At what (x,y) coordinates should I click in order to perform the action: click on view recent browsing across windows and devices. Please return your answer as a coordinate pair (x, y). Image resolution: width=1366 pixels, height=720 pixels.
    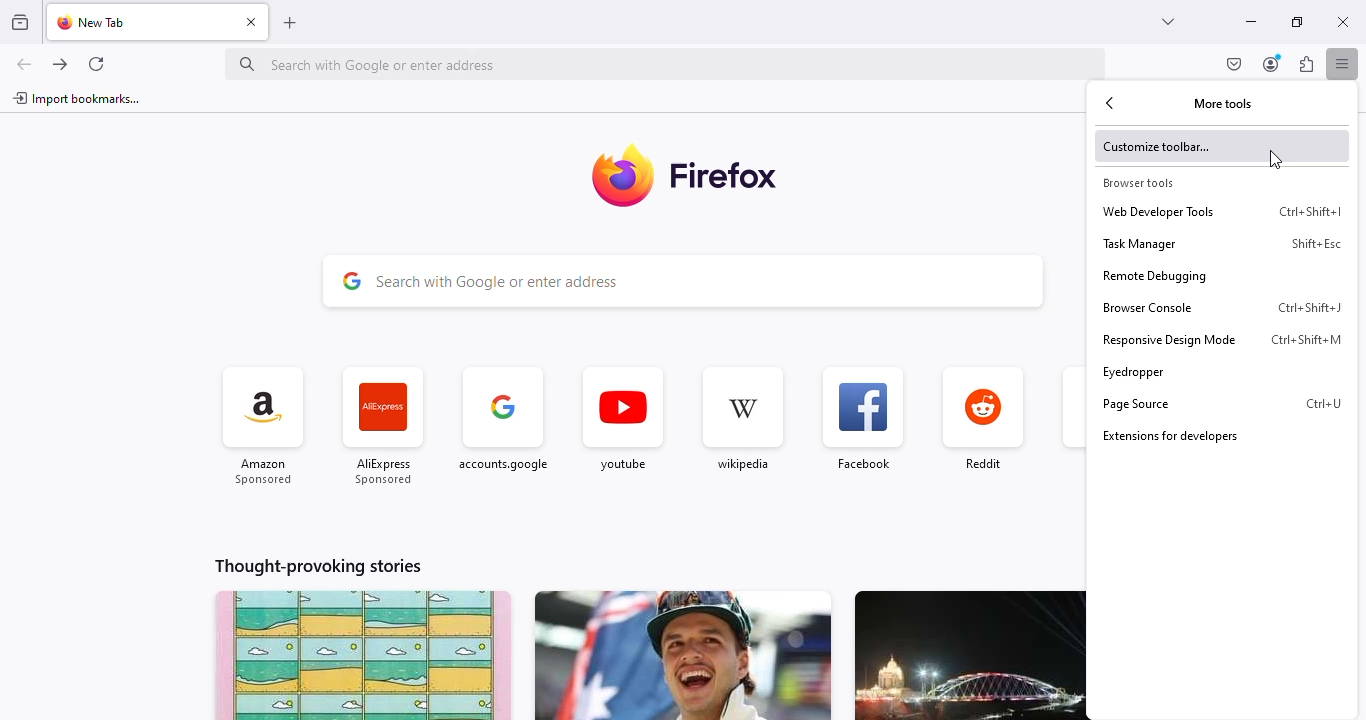
    Looking at the image, I should click on (20, 21).